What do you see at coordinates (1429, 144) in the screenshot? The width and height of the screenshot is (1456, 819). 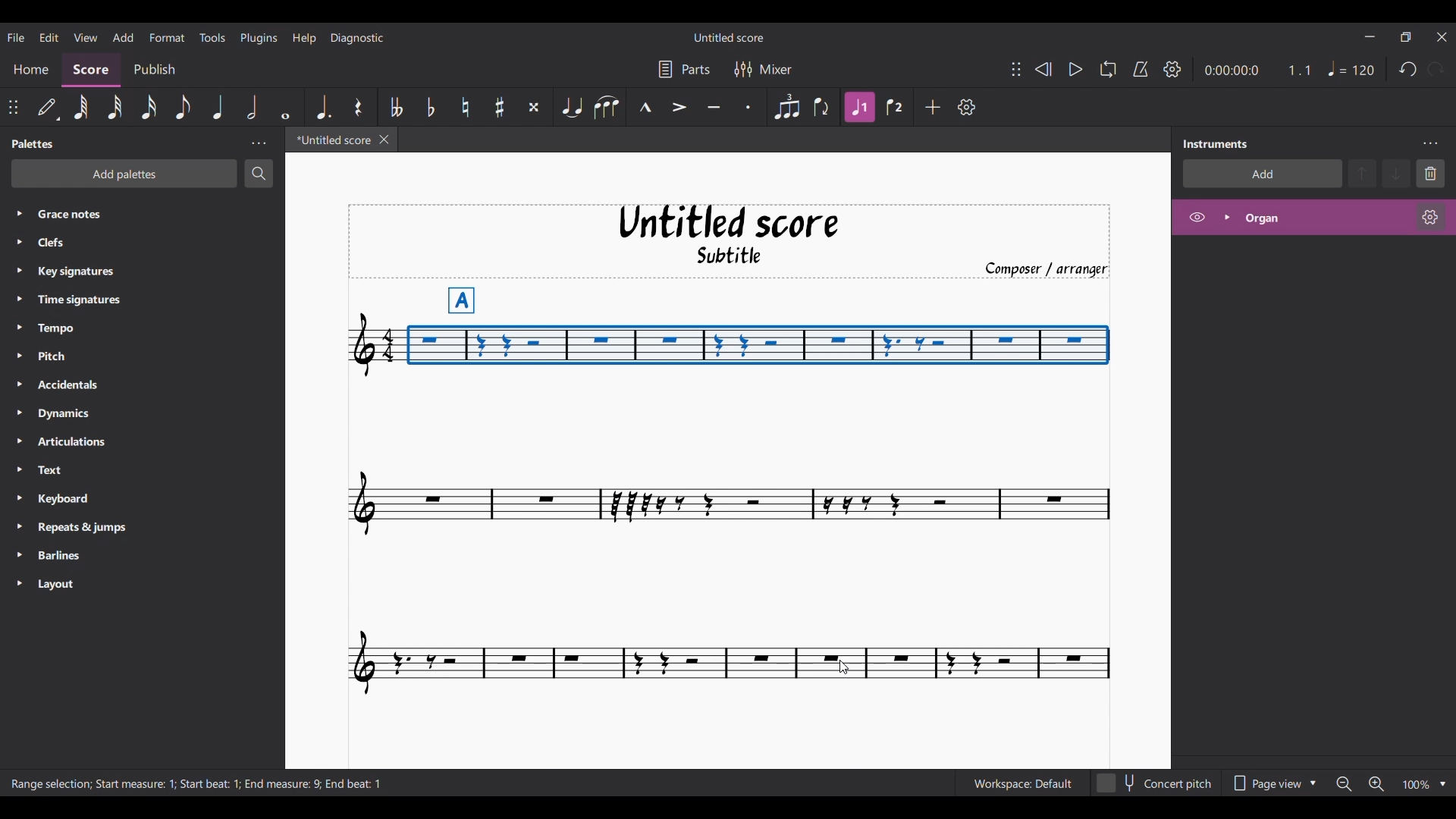 I see `Instrument settings` at bounding box center [1429, 144].